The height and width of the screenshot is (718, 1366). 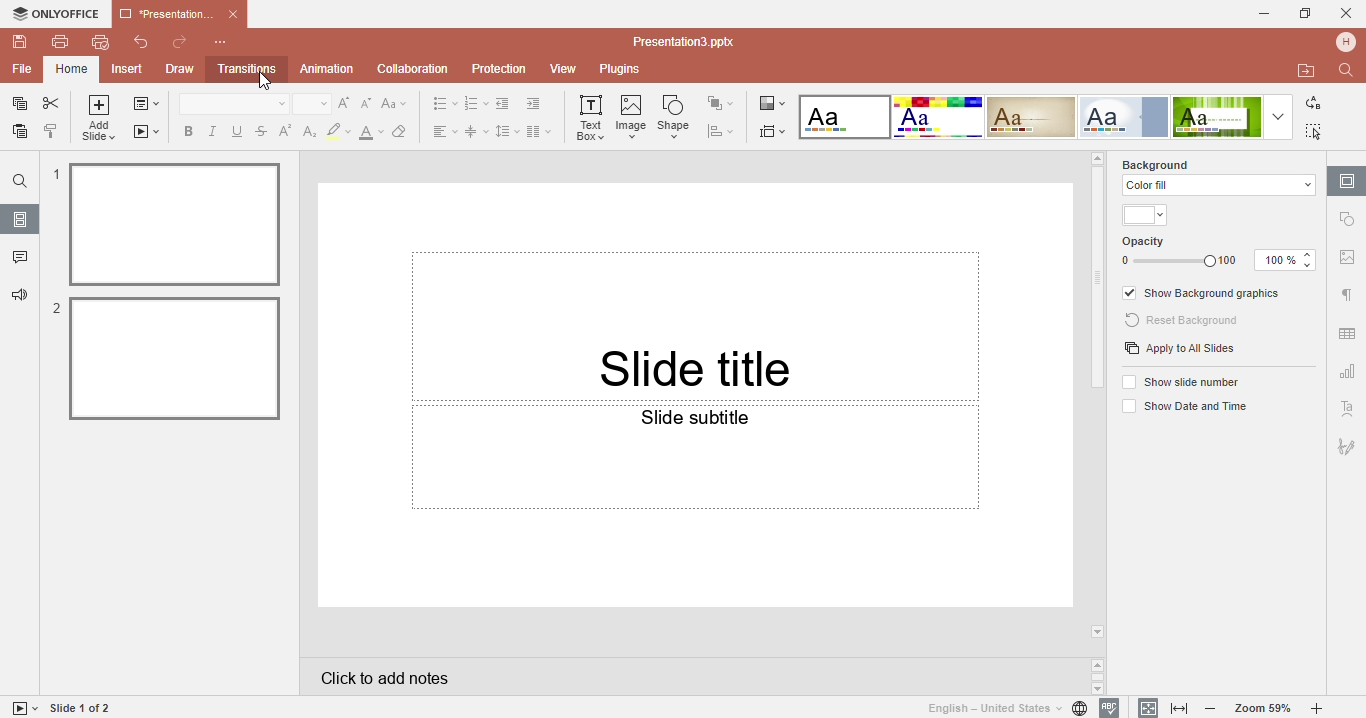 I want to click on Open file, so click(x=1307, y=71).